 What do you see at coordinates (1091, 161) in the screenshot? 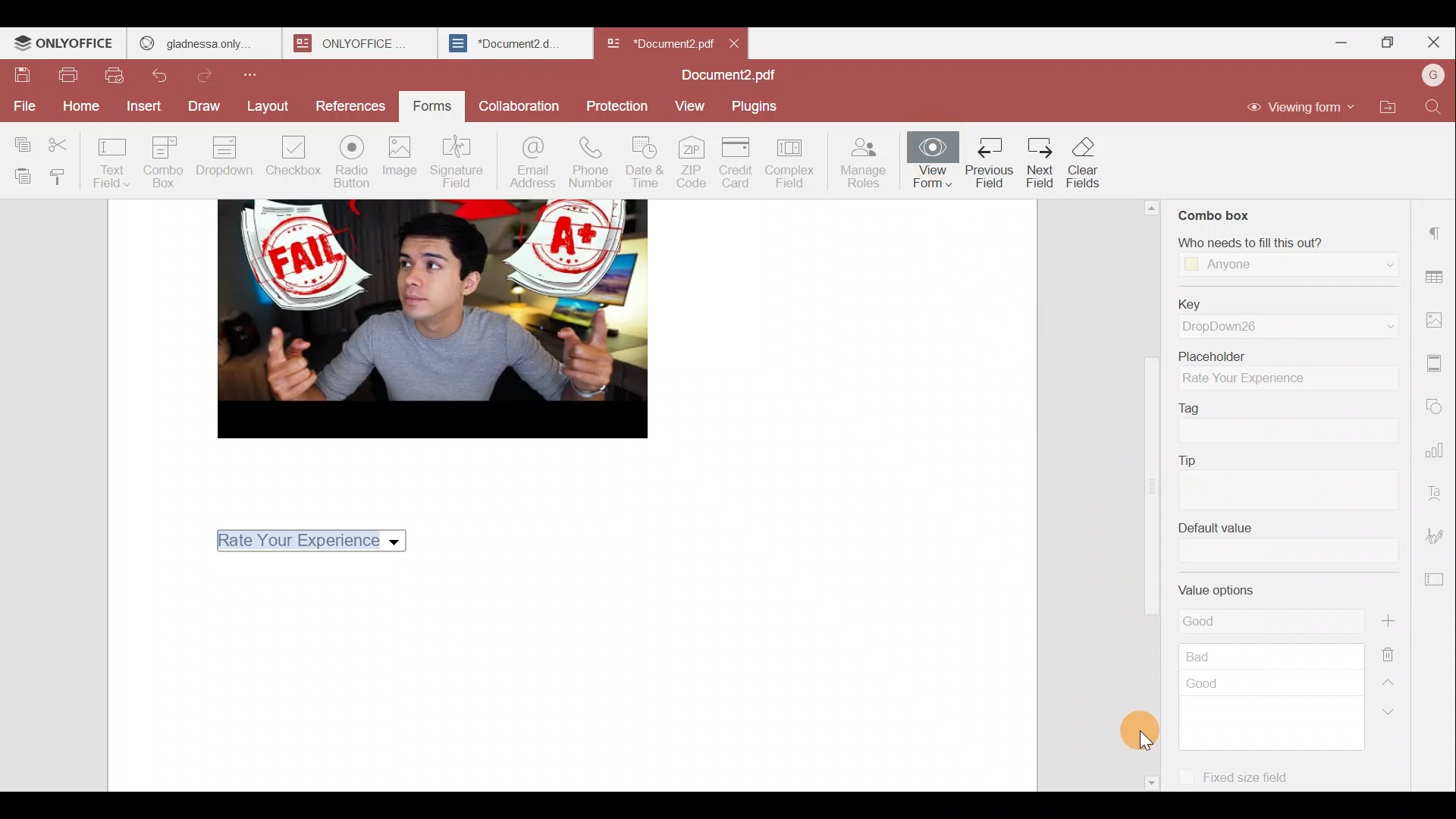
I see `clearfields` at bounding box center [1091, 161].